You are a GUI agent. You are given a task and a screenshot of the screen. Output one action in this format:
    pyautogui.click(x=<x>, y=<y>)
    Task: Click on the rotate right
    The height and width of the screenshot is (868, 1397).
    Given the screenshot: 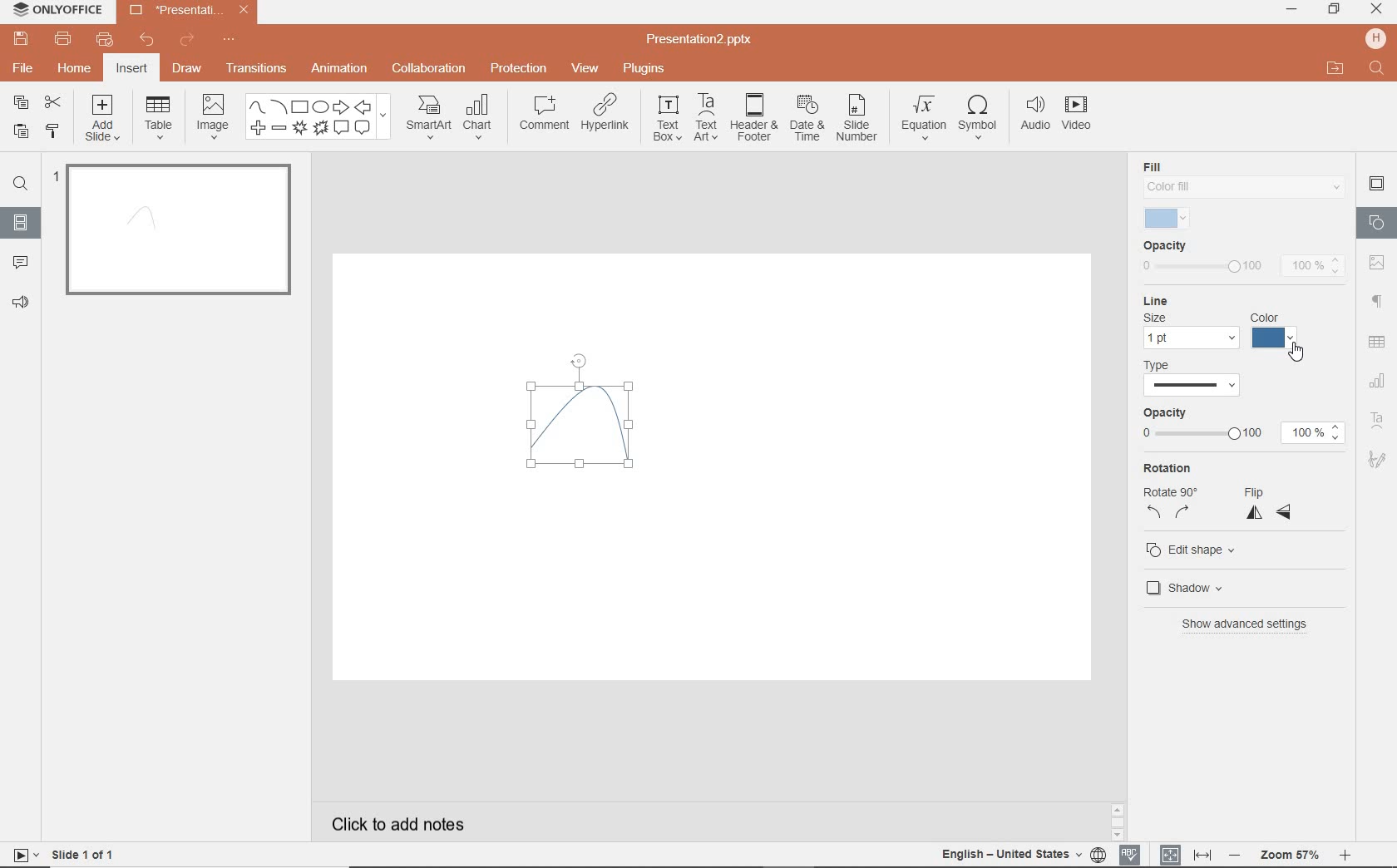 What is the action you would take?
    pyautogui.click(x=1183, y=511)
    